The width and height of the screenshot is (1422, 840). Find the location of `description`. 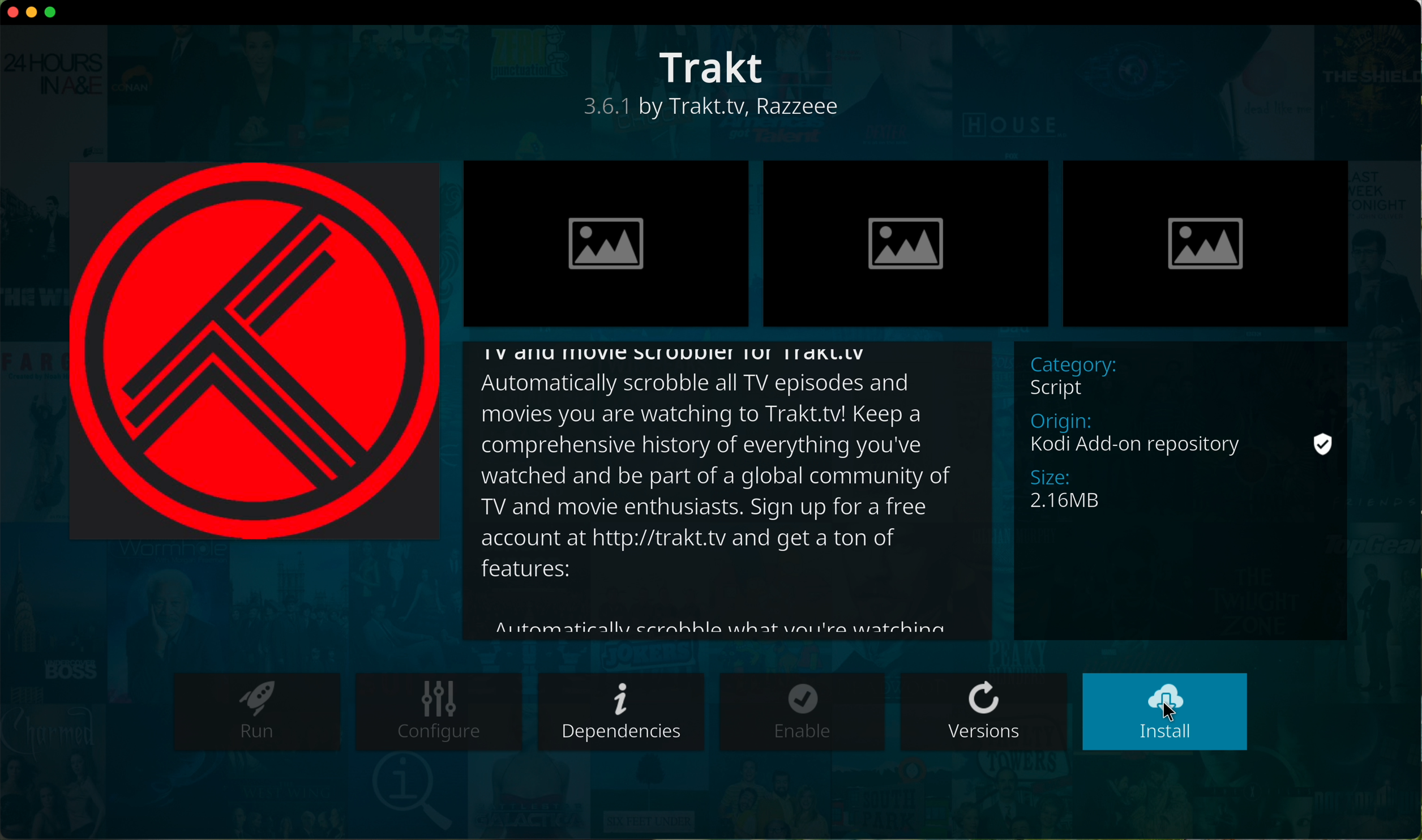

description is located at coordinates (713, 108).